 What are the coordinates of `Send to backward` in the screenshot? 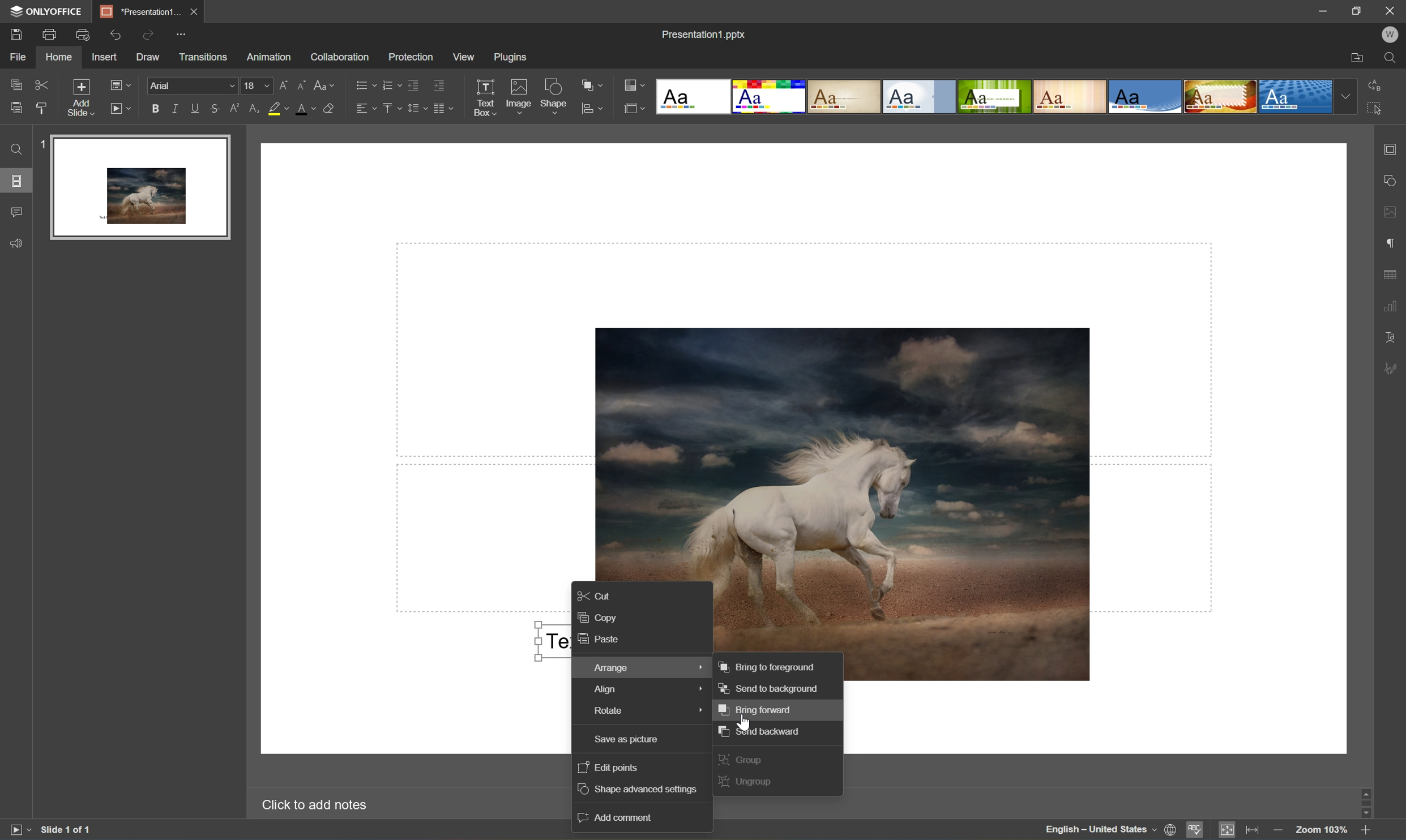 It's located at (771, 688).